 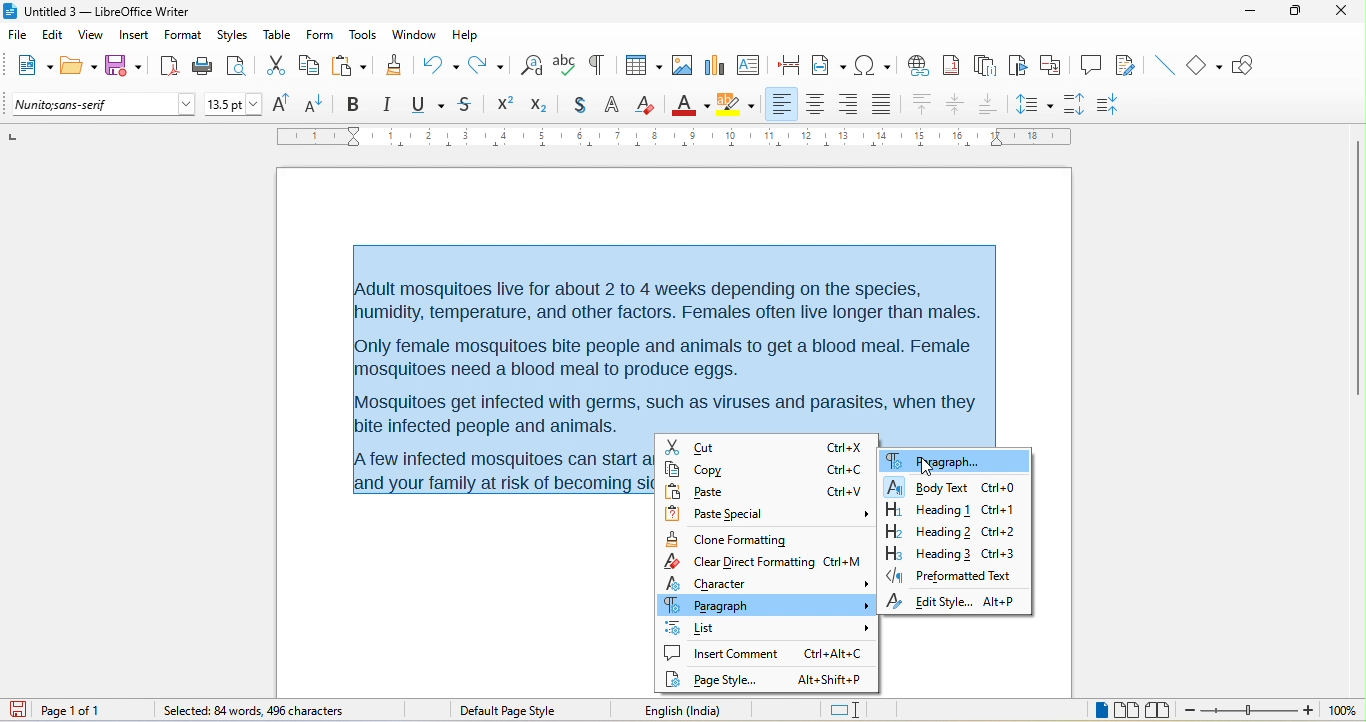 I want to click on increase paragraph spacing, so click(x=1073, y=102).